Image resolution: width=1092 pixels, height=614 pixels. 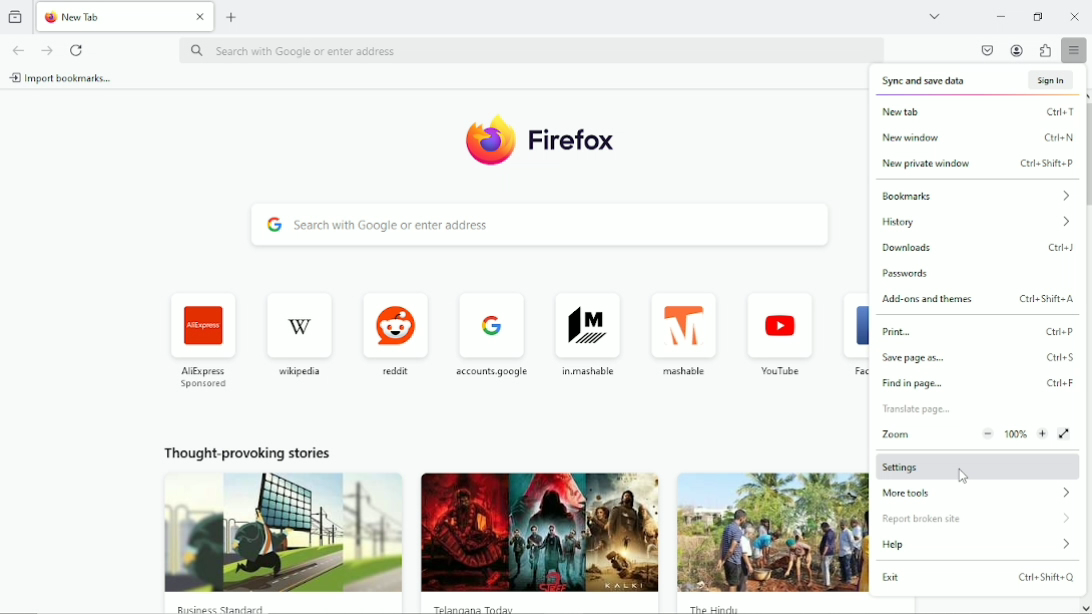 I want to click on Thought provoking stories, so click(x=279, y=527).